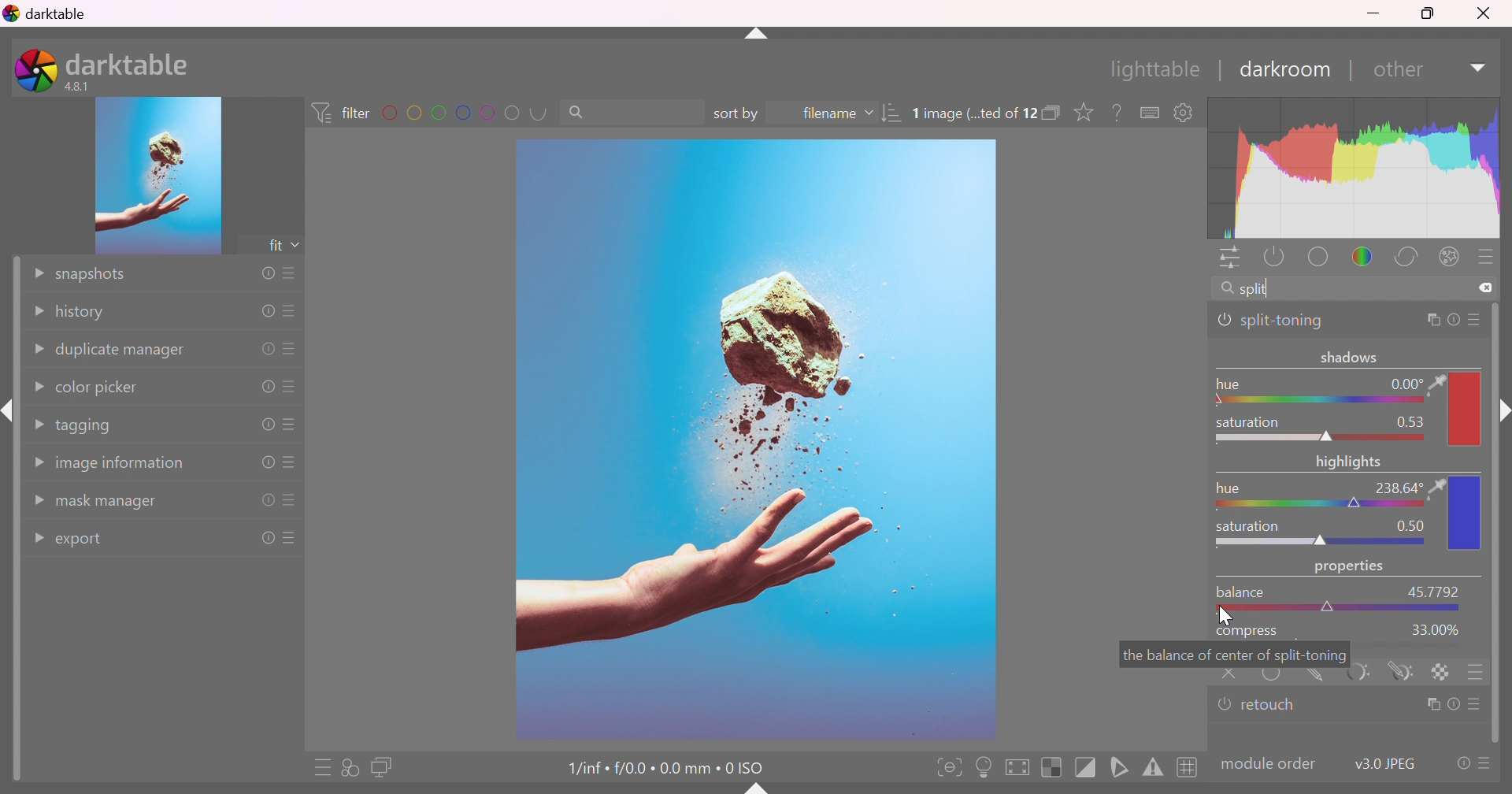  What do you see at coordinates (1223, 703) in the screenshot?
I see `'retouch' is switched off` at bounding box center [1223, 703].